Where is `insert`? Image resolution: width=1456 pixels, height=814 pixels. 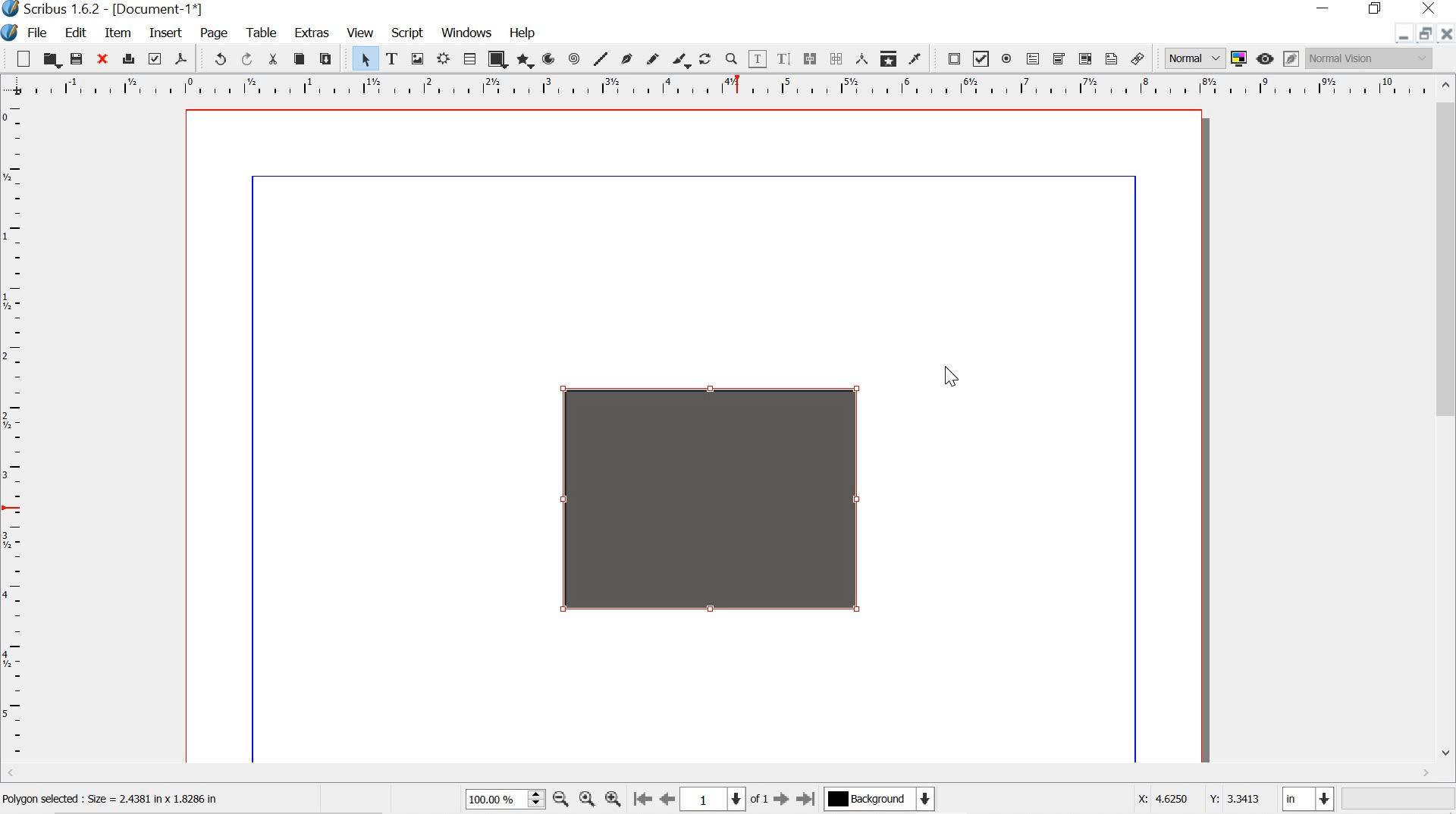 insert is located at coordinates (165, 33).